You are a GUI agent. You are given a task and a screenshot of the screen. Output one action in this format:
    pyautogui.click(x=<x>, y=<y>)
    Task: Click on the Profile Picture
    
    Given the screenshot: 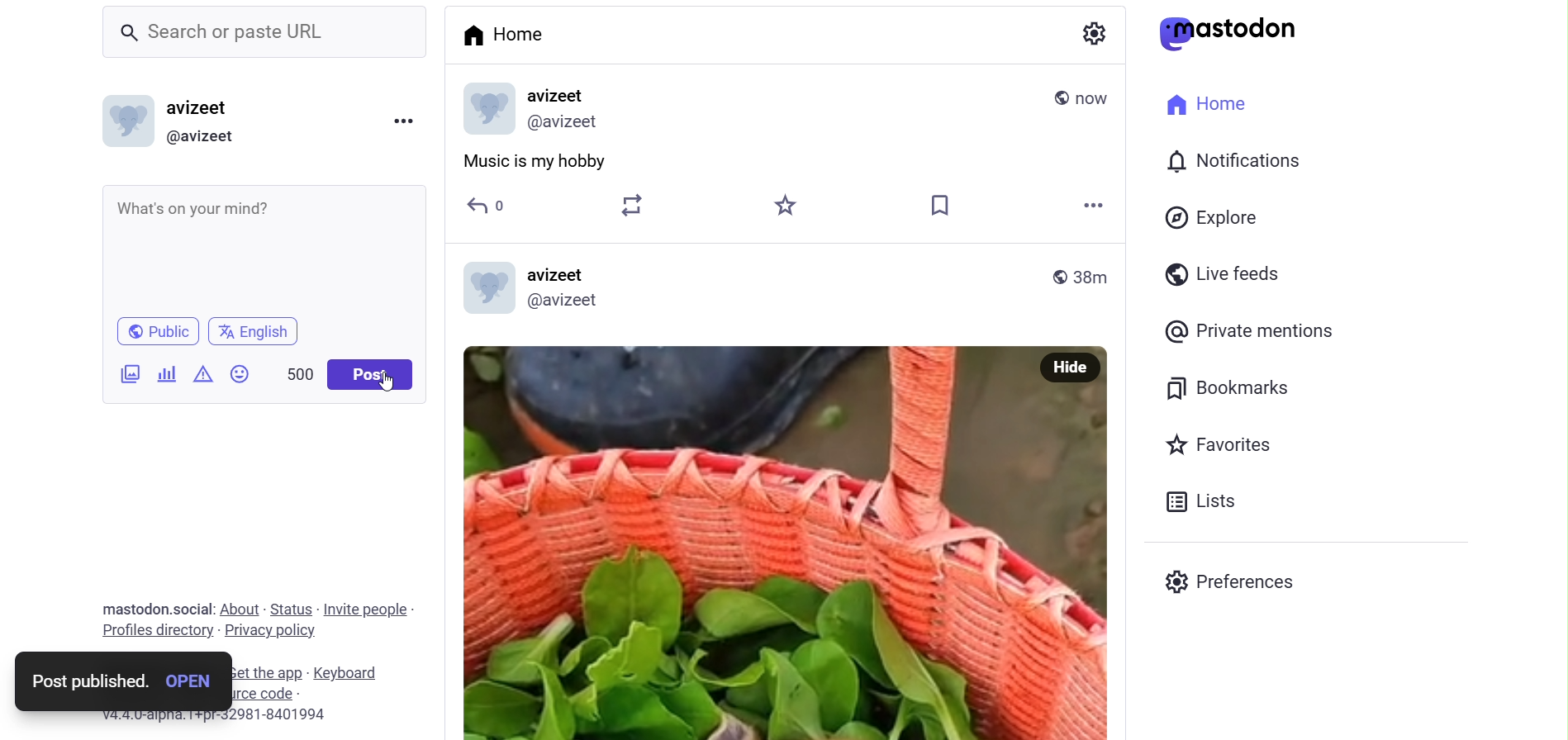 What is the action you would take?
    pyautogui.click(x=125, y=121)
    